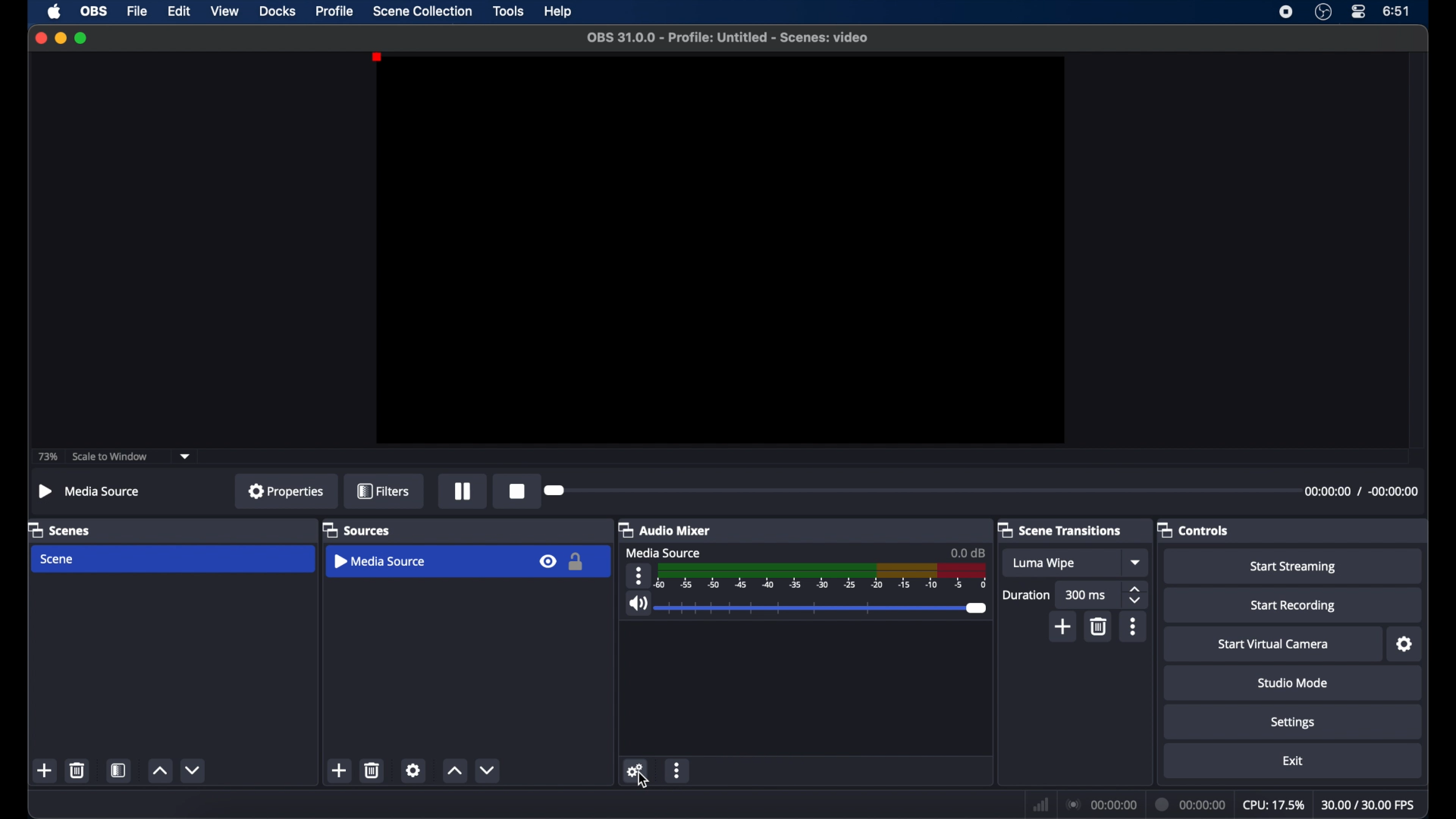 The height and width of the screenshot is (819, 1456). Describe the element at coordinates (1060, 529) in the screenshot. I see `scene transitions` at that location.